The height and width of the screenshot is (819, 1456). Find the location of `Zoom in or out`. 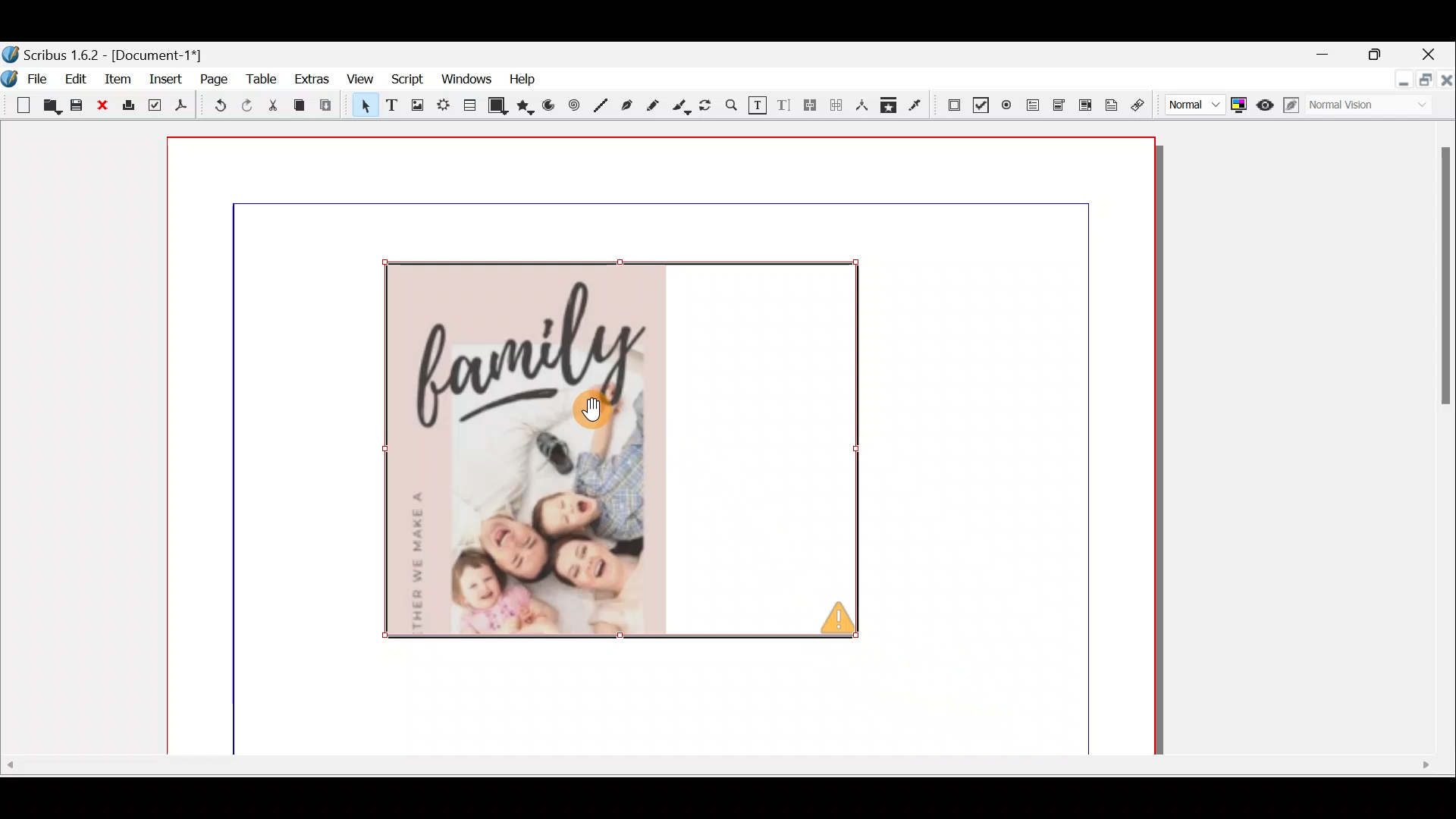

Zoom in or out is located at coordinates (730, 102).